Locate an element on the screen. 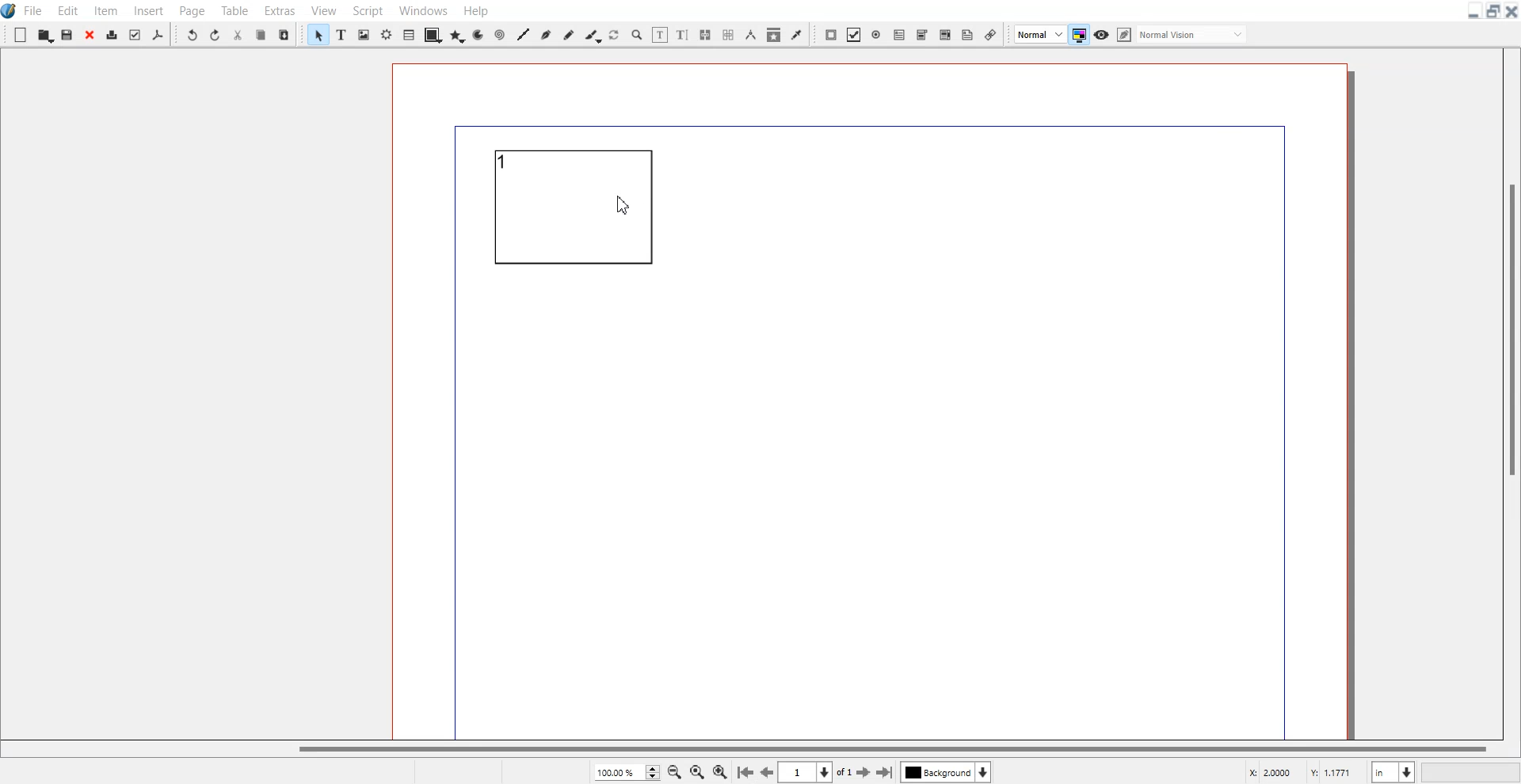  Windows is located at coordinates (422, 10).